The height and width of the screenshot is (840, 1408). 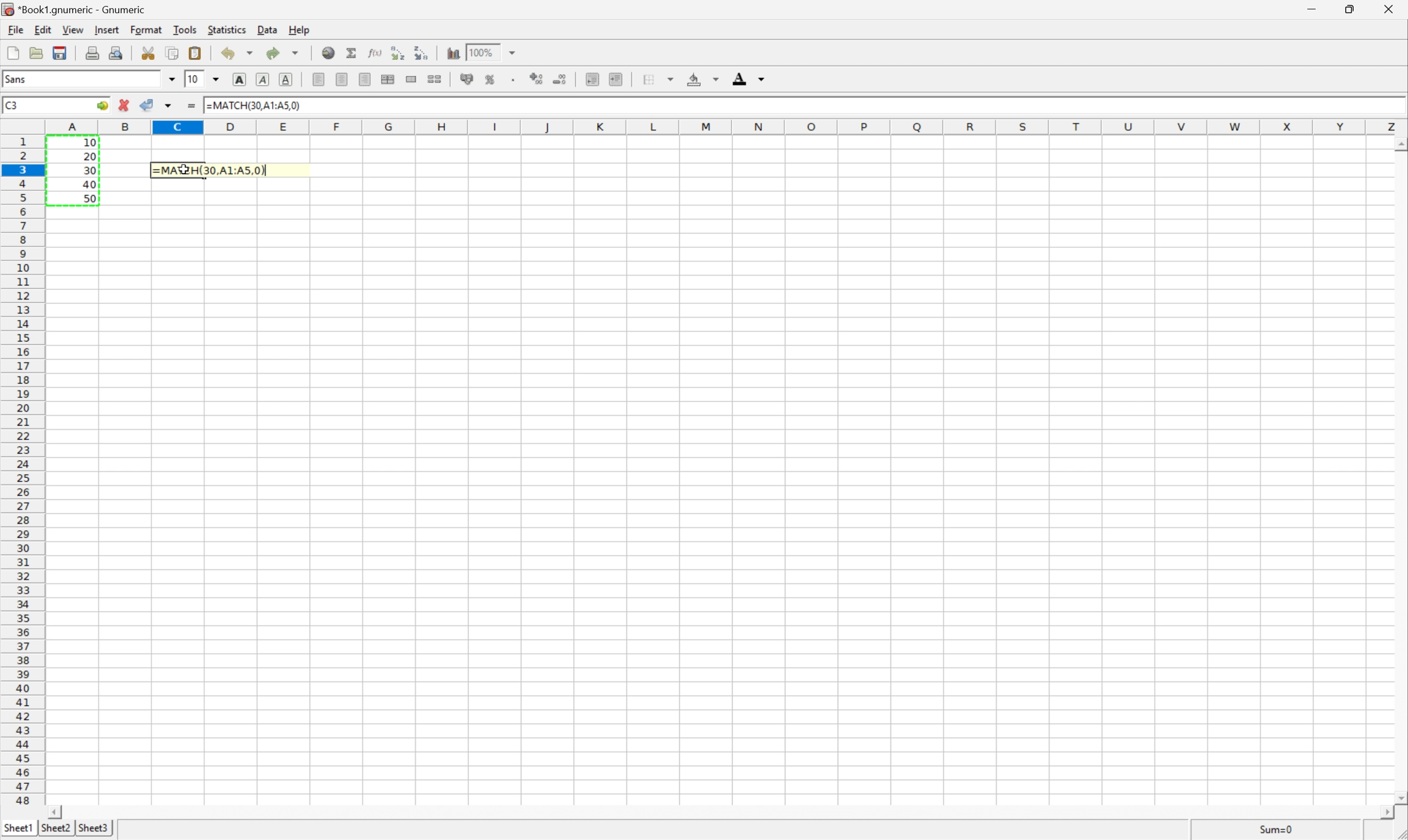 What do you see at coordinates (253, 54) in the screenshot?
I see `Drop down` at bounding box center [253, 54].